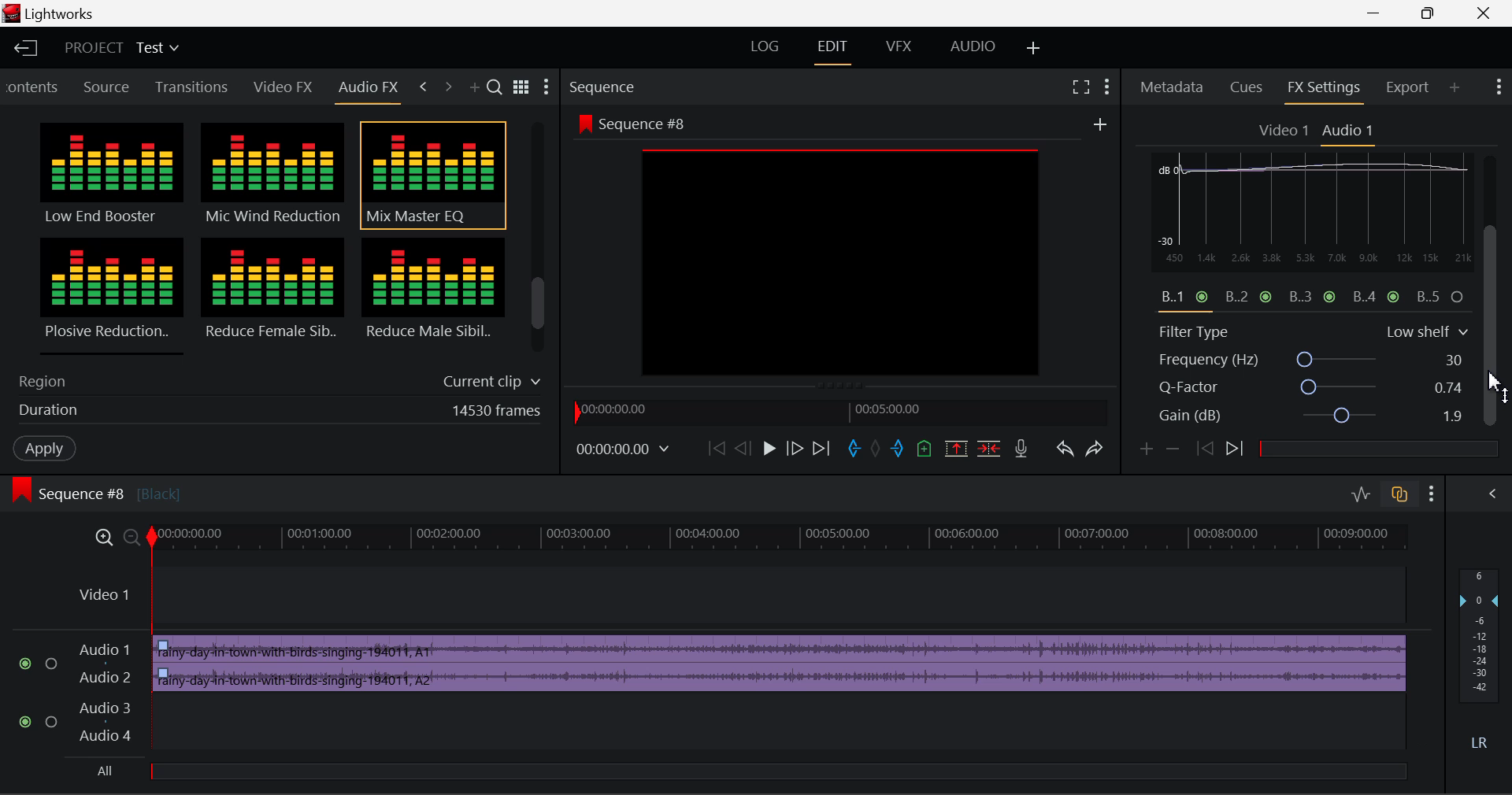  Describe the element at coordinates (44, 449) in the screenshot. I see `Apply` at that location.